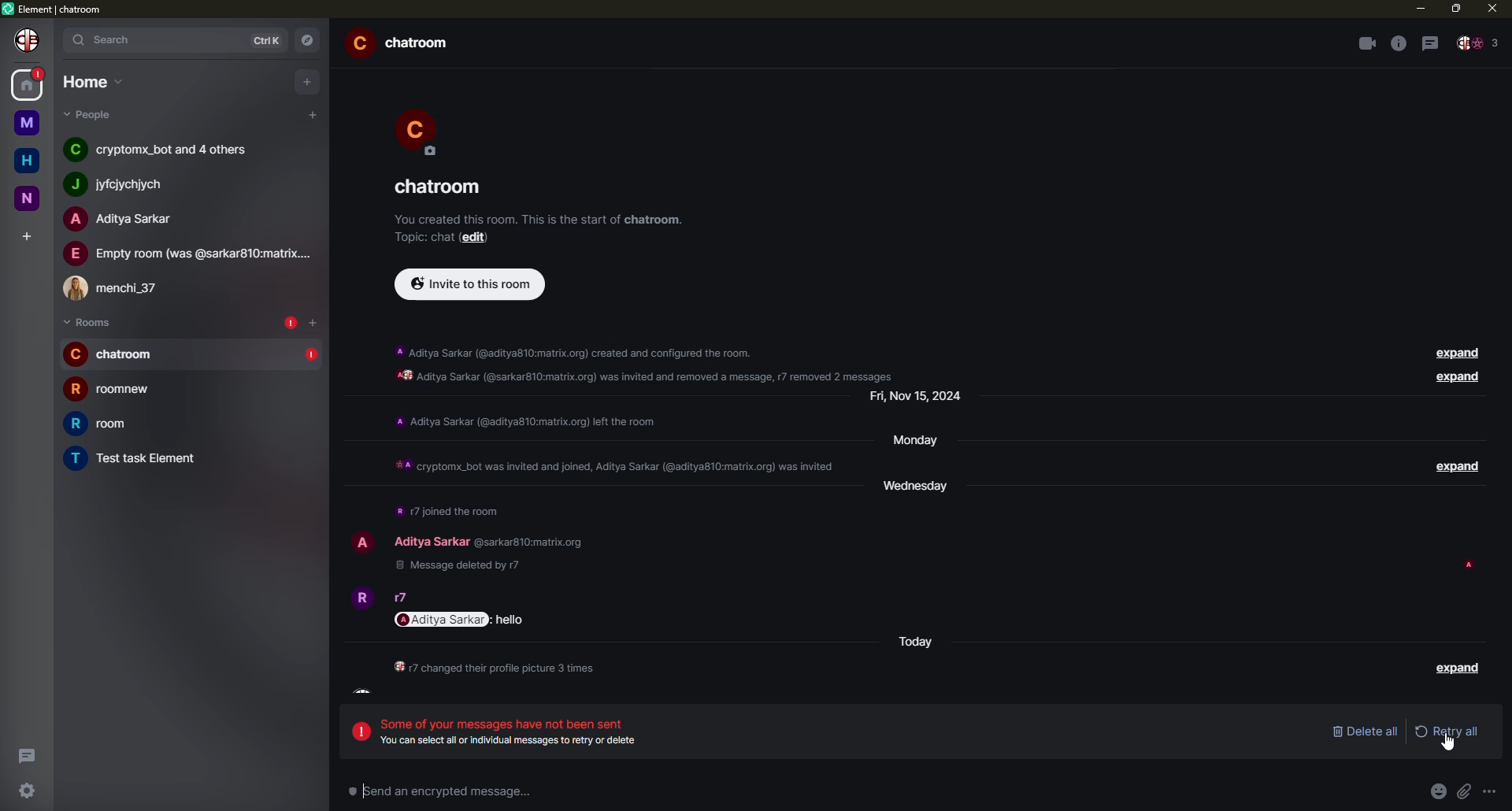 The width and height of the screenshot is (1512, 811). What do you see at coordinates (431, 542) in the screenshot?
I see `people` at bounding box center [431, 542].